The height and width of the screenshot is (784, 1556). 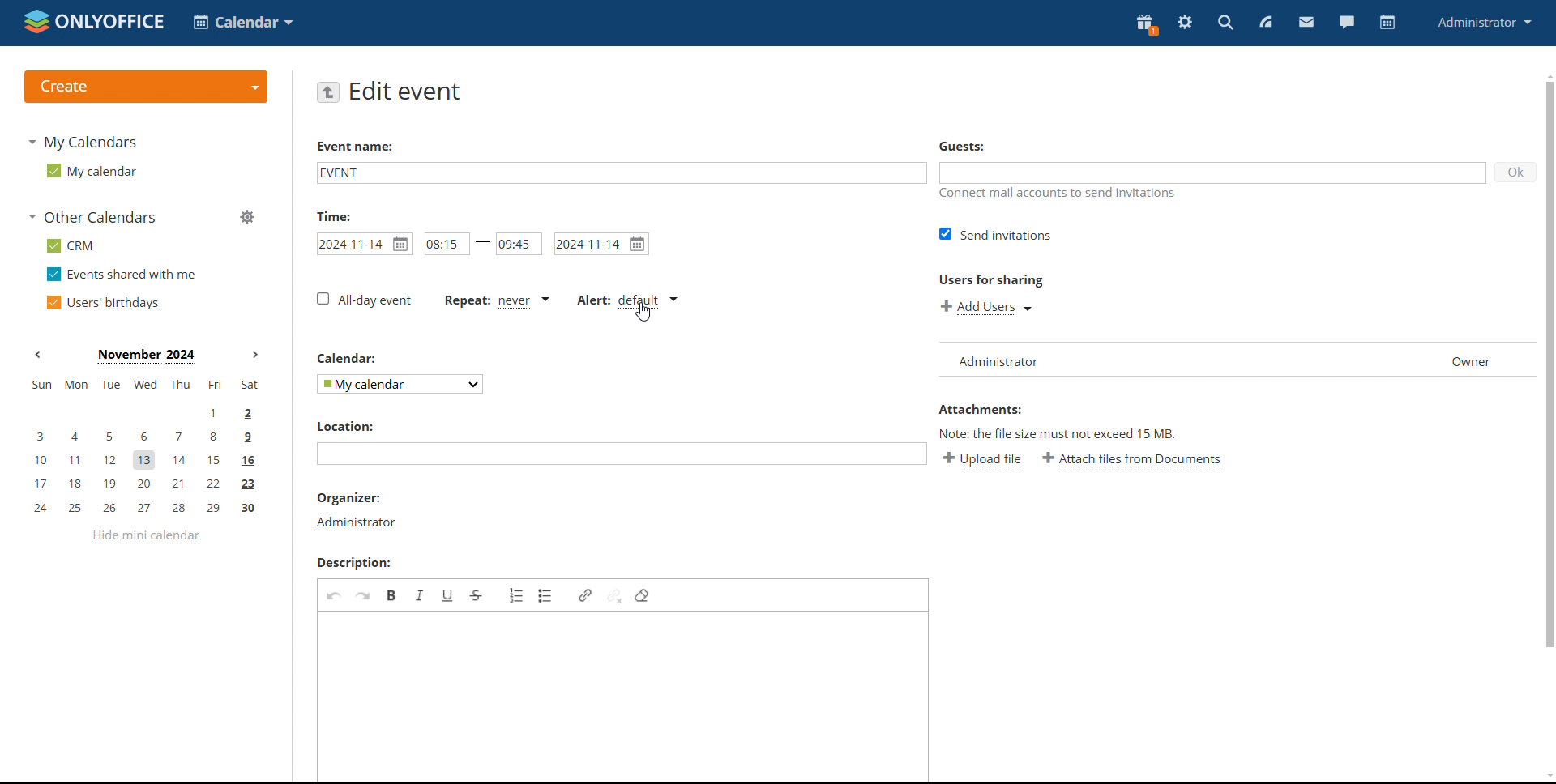 What do you see at coordinates (340, 217) in the screenshot?
I see `time label` at bounding box center [340, 217].